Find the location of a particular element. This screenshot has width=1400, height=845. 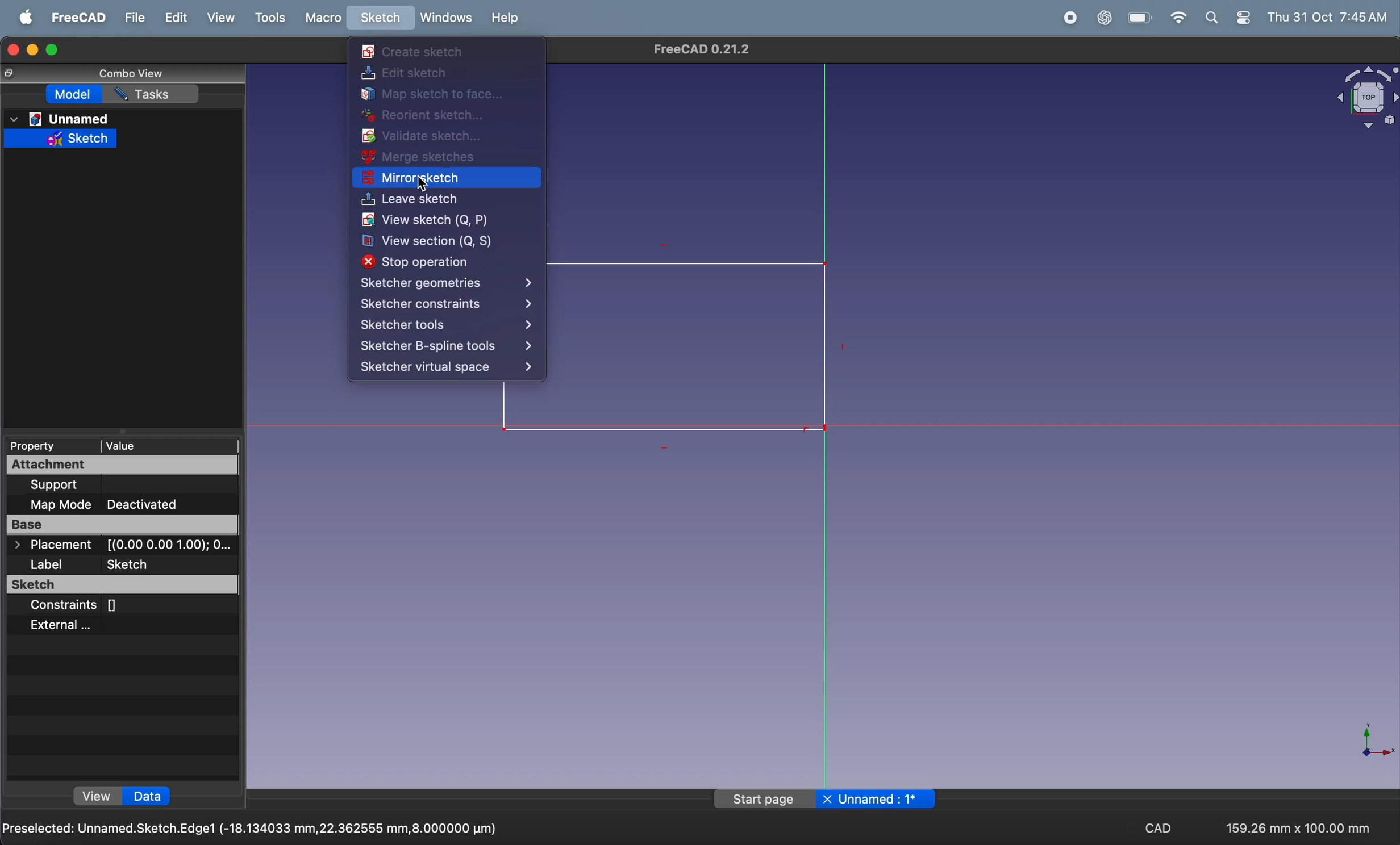

sketcher constraints is located at coordinates (447, 304).